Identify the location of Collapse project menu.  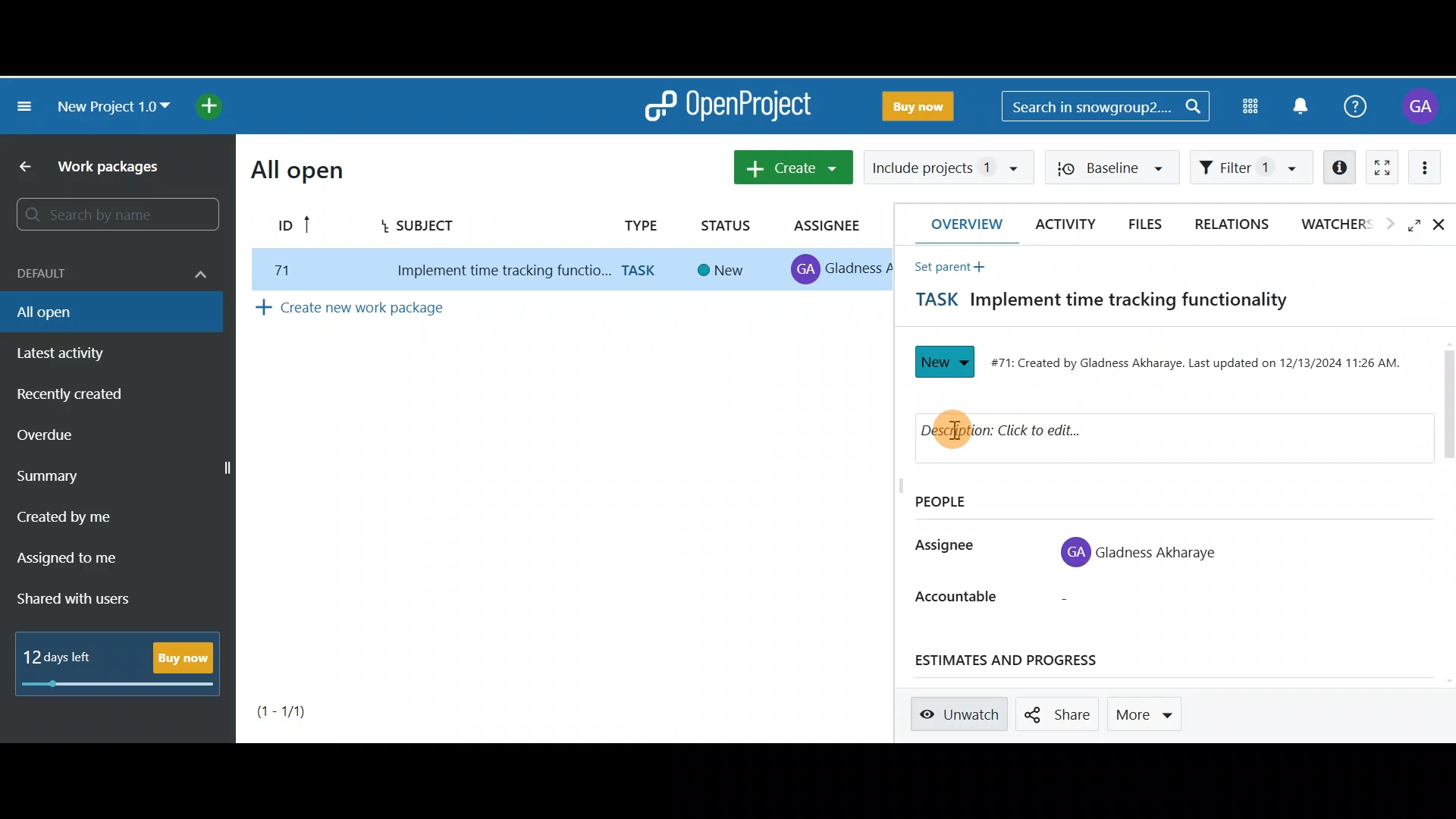
(26, 110).